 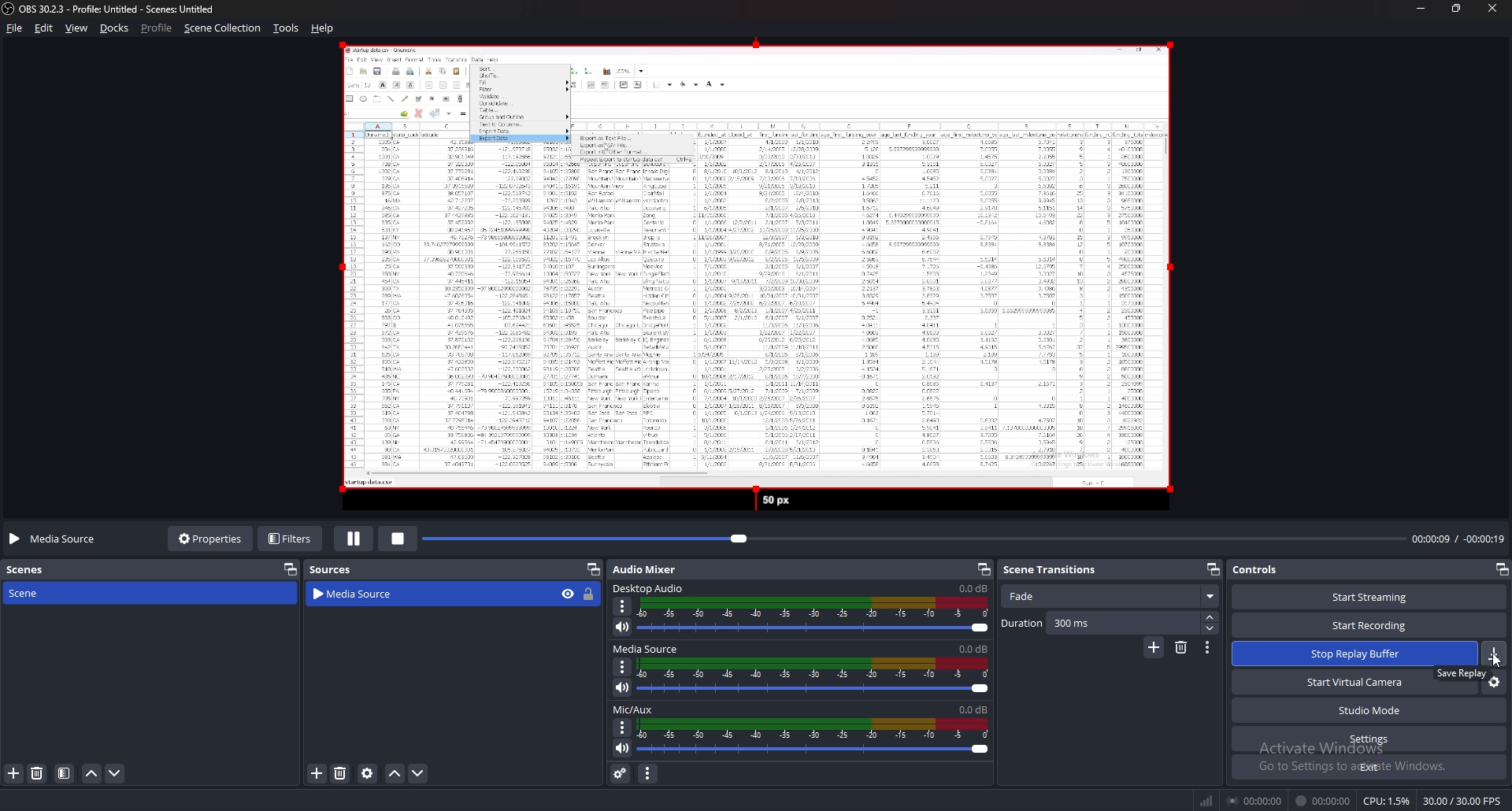 What do you see at coordinates (1420, 8) in the screenshot?
I see `minimize` at bounding box center [1420, 8].